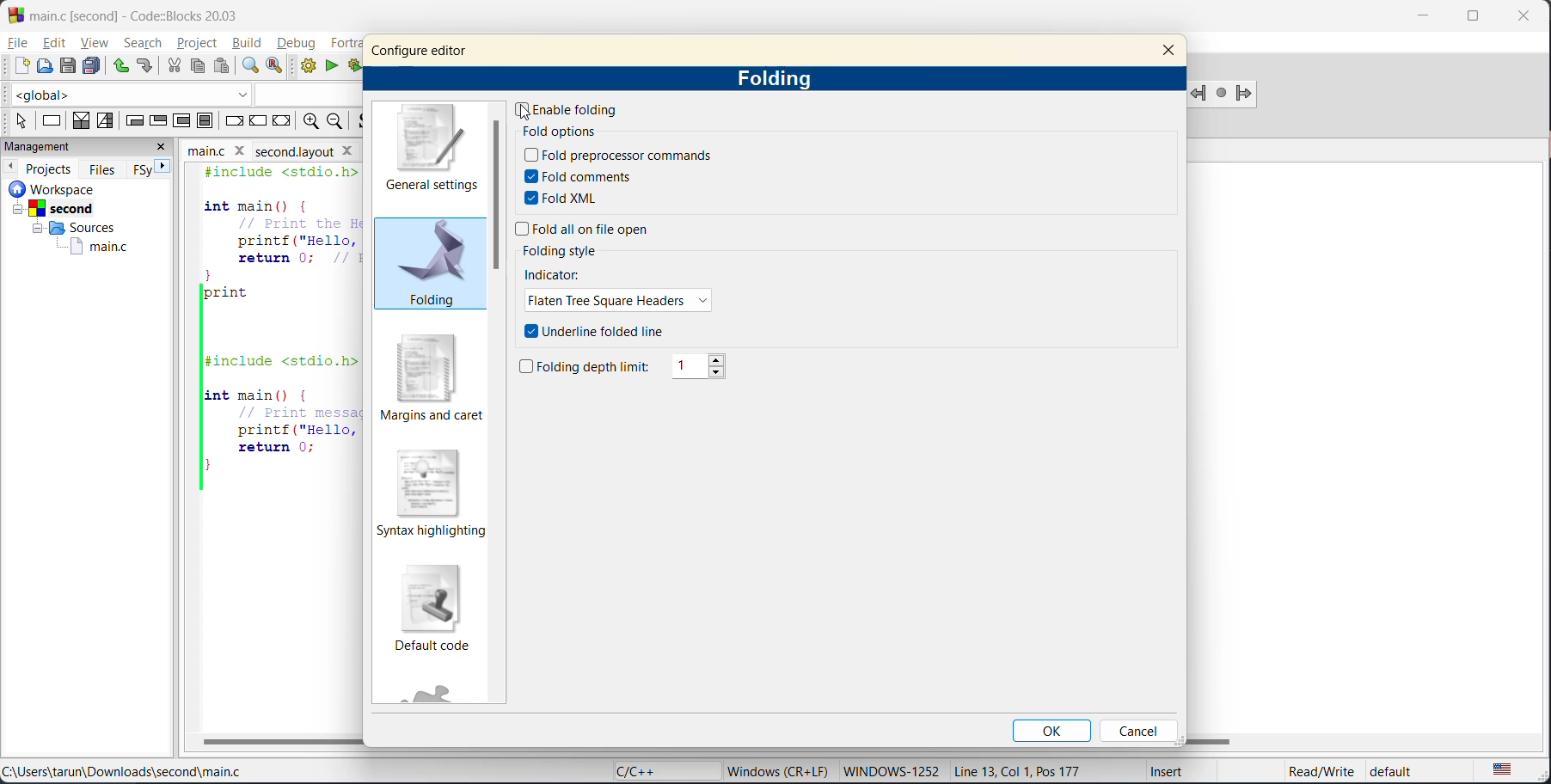 Image resolution: width=1551 pixels, height=784 pixels. What do you see at coordinates (275, 328) in the screenshot?
I see `code editor` at bounding box center [275, 328].